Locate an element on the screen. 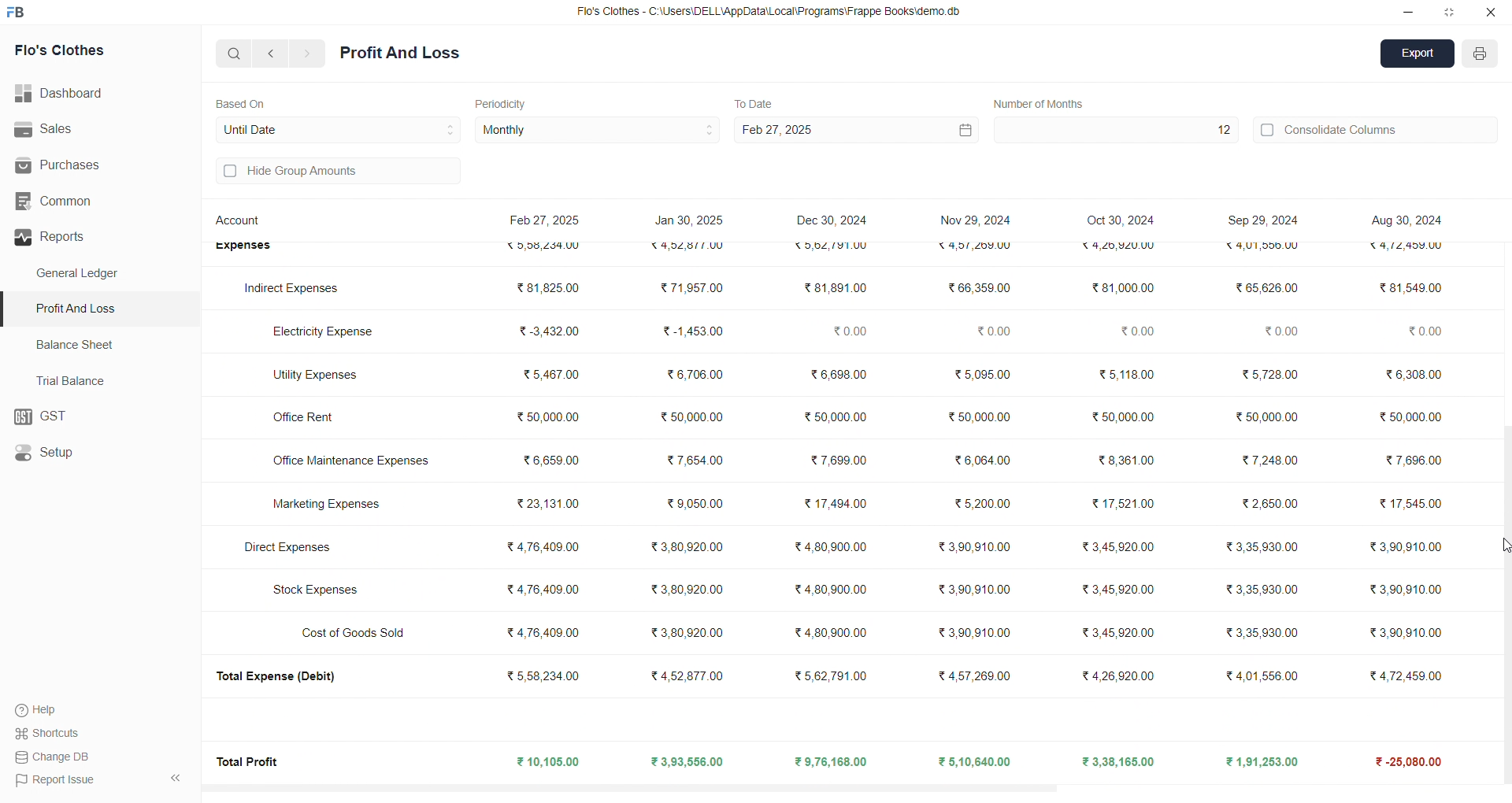 The height and width of the screenshot is (803, 1512). ₹2650.00 is located at coordinates (1268, 504).